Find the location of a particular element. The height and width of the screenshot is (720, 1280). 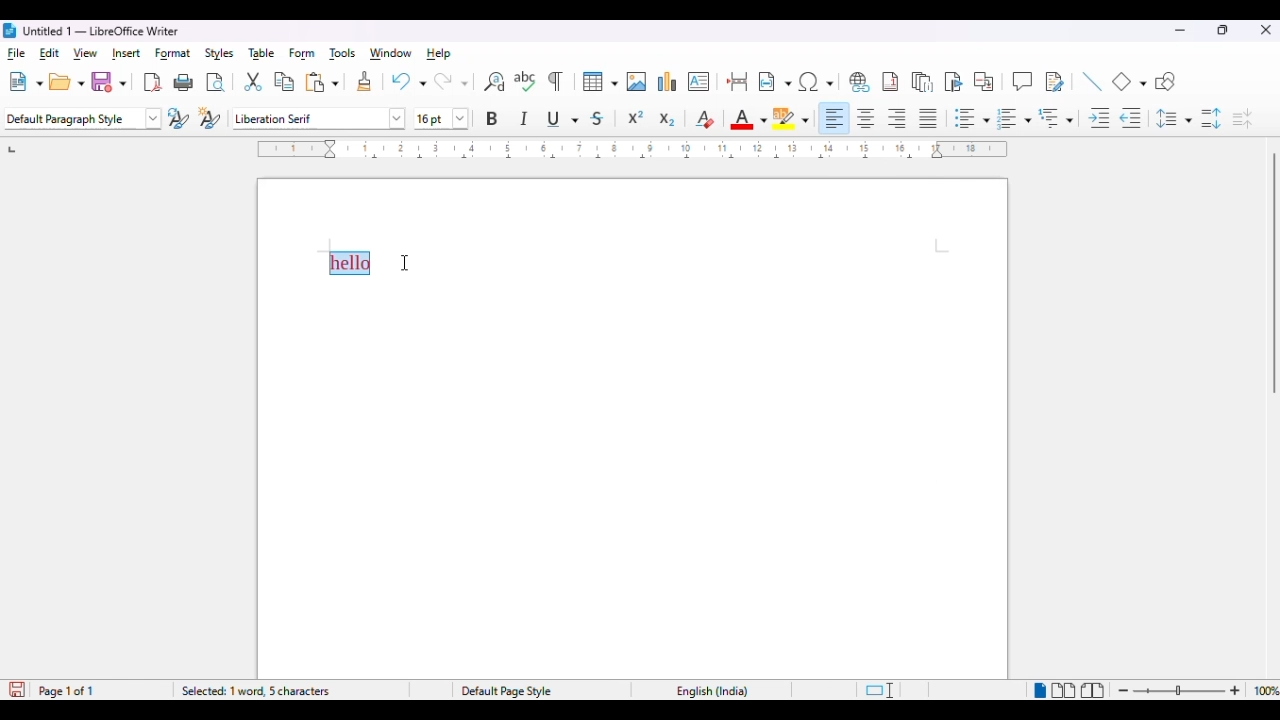

zoom factor is located at coordinates (1265, 690).